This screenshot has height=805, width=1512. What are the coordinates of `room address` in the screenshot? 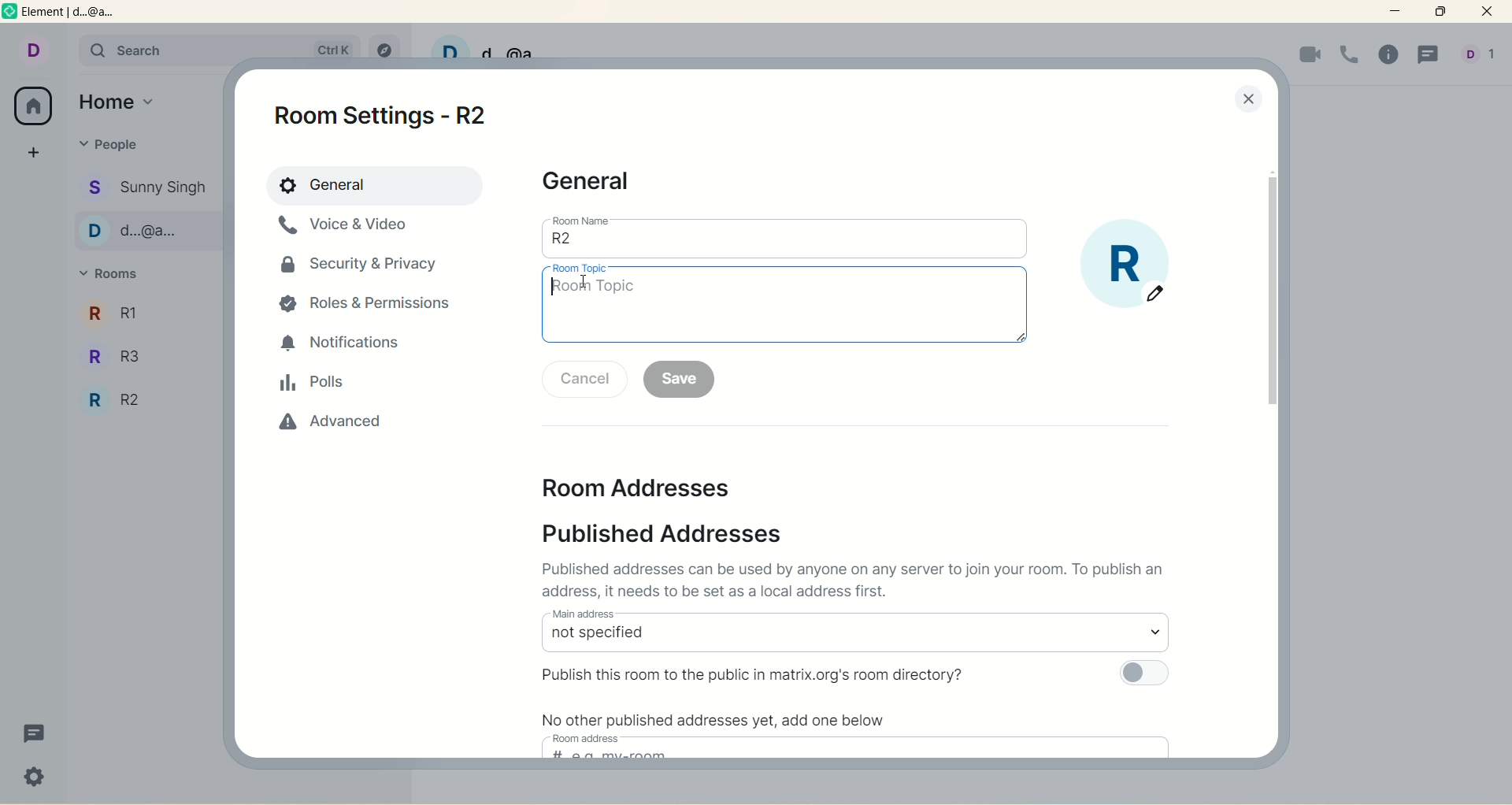 It's located at (589, 738).